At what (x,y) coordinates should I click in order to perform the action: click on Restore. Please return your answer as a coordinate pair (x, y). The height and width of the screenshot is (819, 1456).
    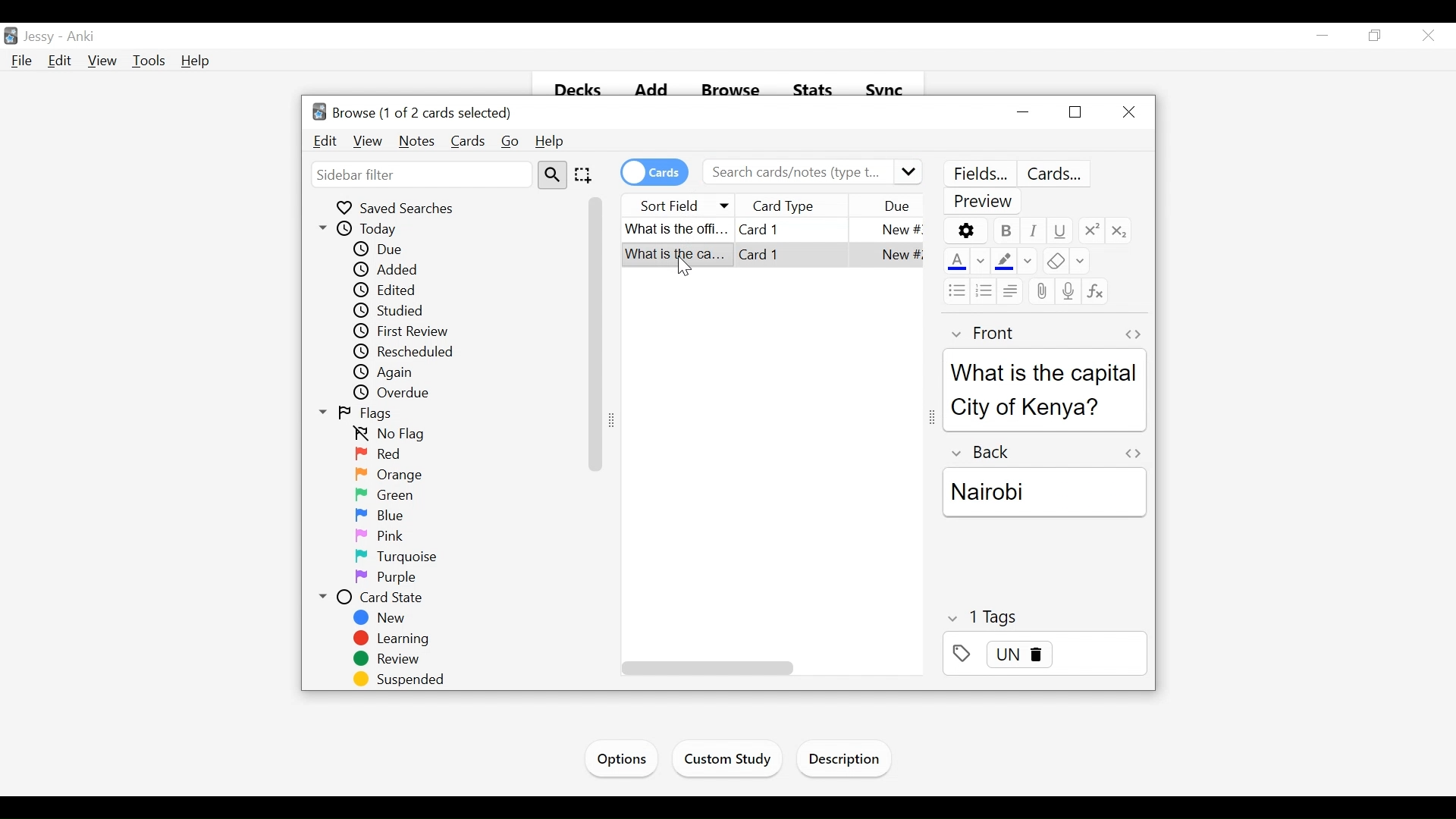
    Looking at the image, I should click on (1376, 36).